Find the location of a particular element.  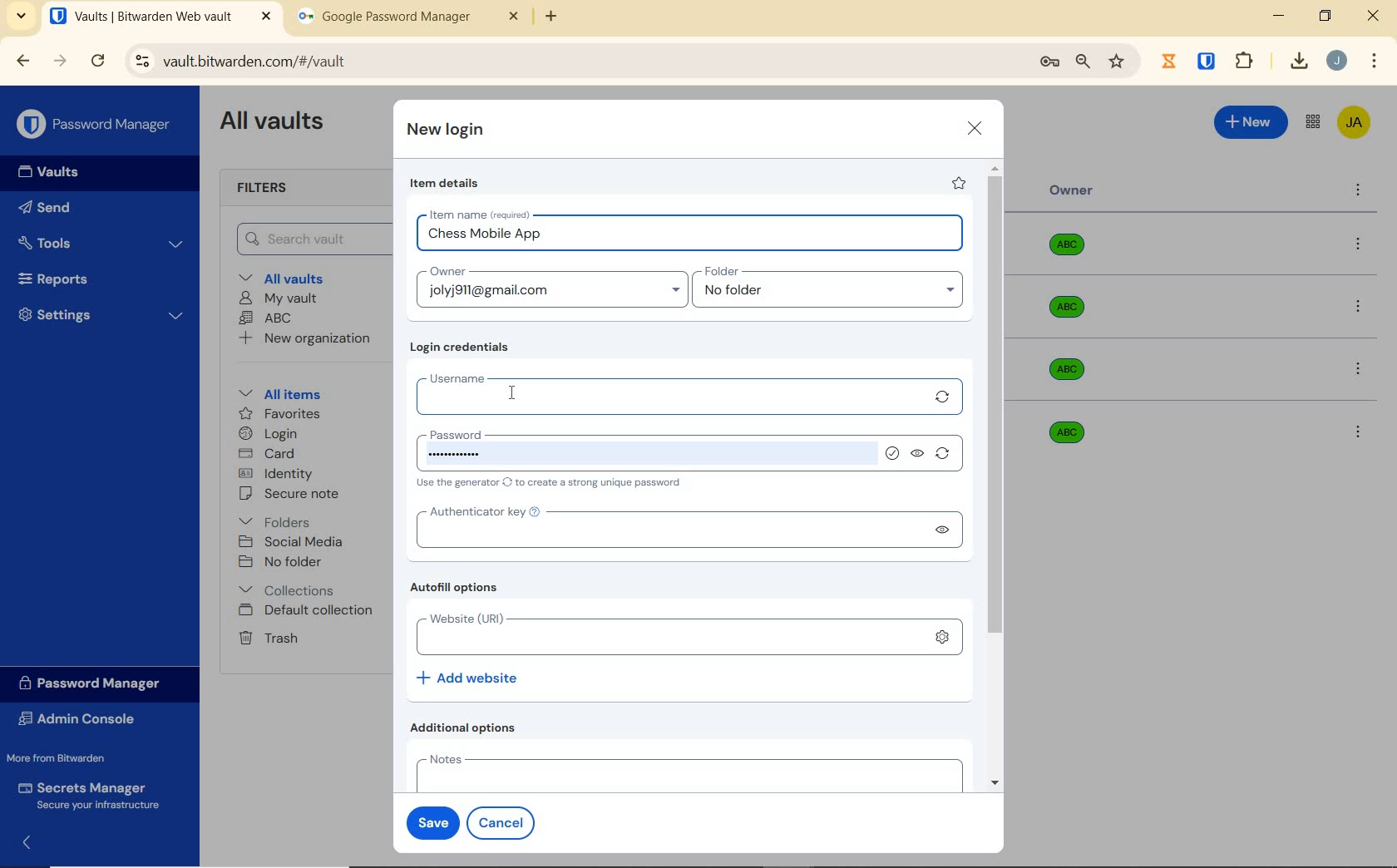

All vaults is located at coordinates (288, 277).